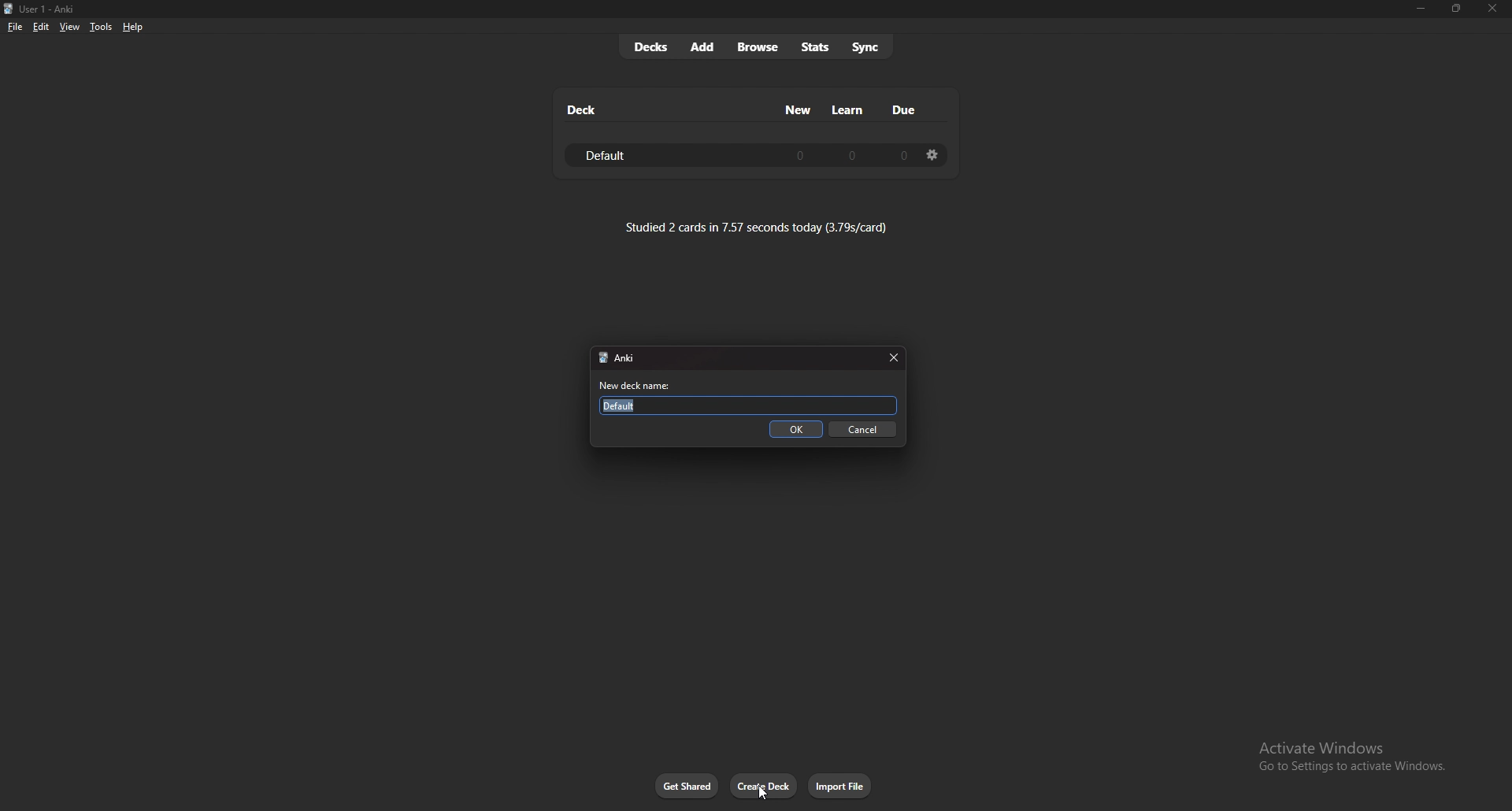 Image resolution: width=1512 pixels, height=811 pixels. What do you see at coordinates (15, 28) in the screenshot?
I see `file` at bounding box center [15, 28].